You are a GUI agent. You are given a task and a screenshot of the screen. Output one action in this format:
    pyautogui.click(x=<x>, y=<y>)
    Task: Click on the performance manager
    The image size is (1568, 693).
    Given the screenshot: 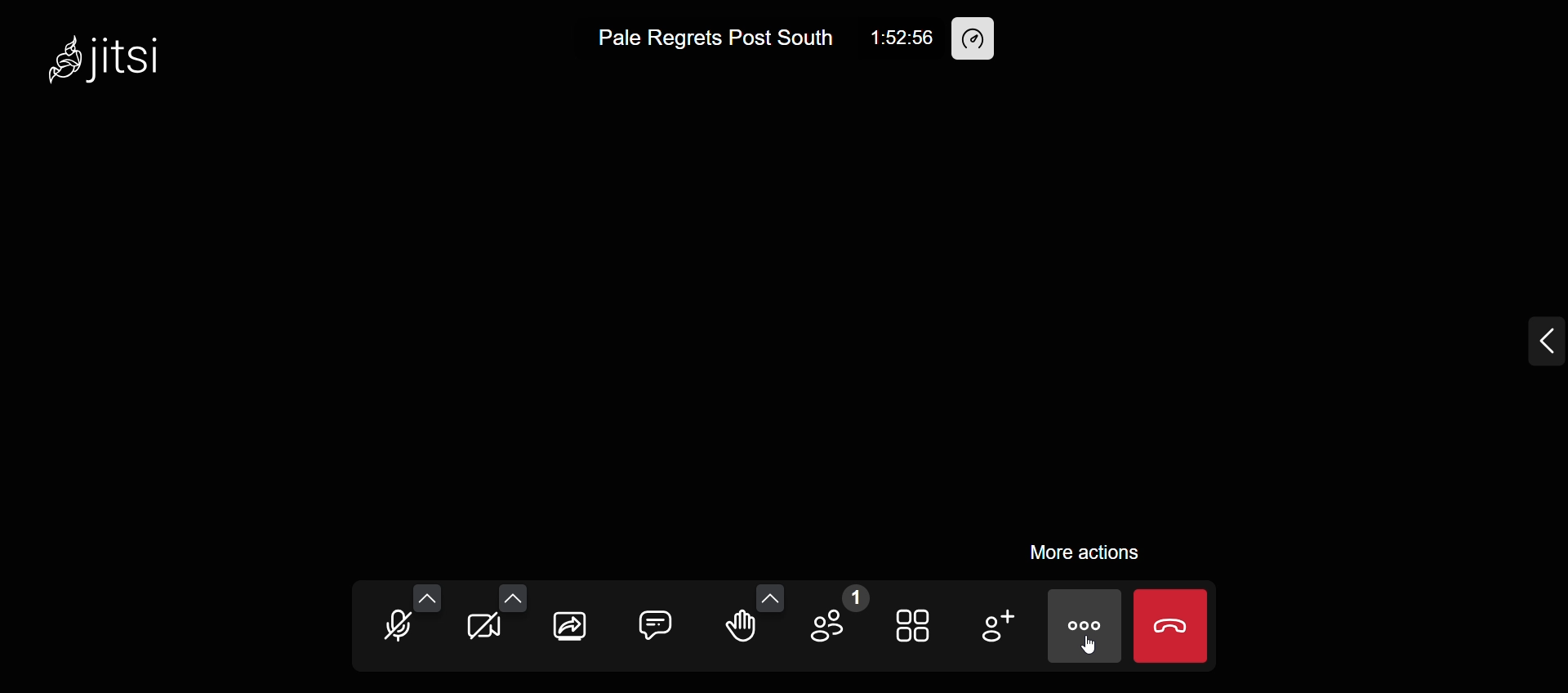 What is the action you would take?
    pyautogui.click(x=978, y=38)
    